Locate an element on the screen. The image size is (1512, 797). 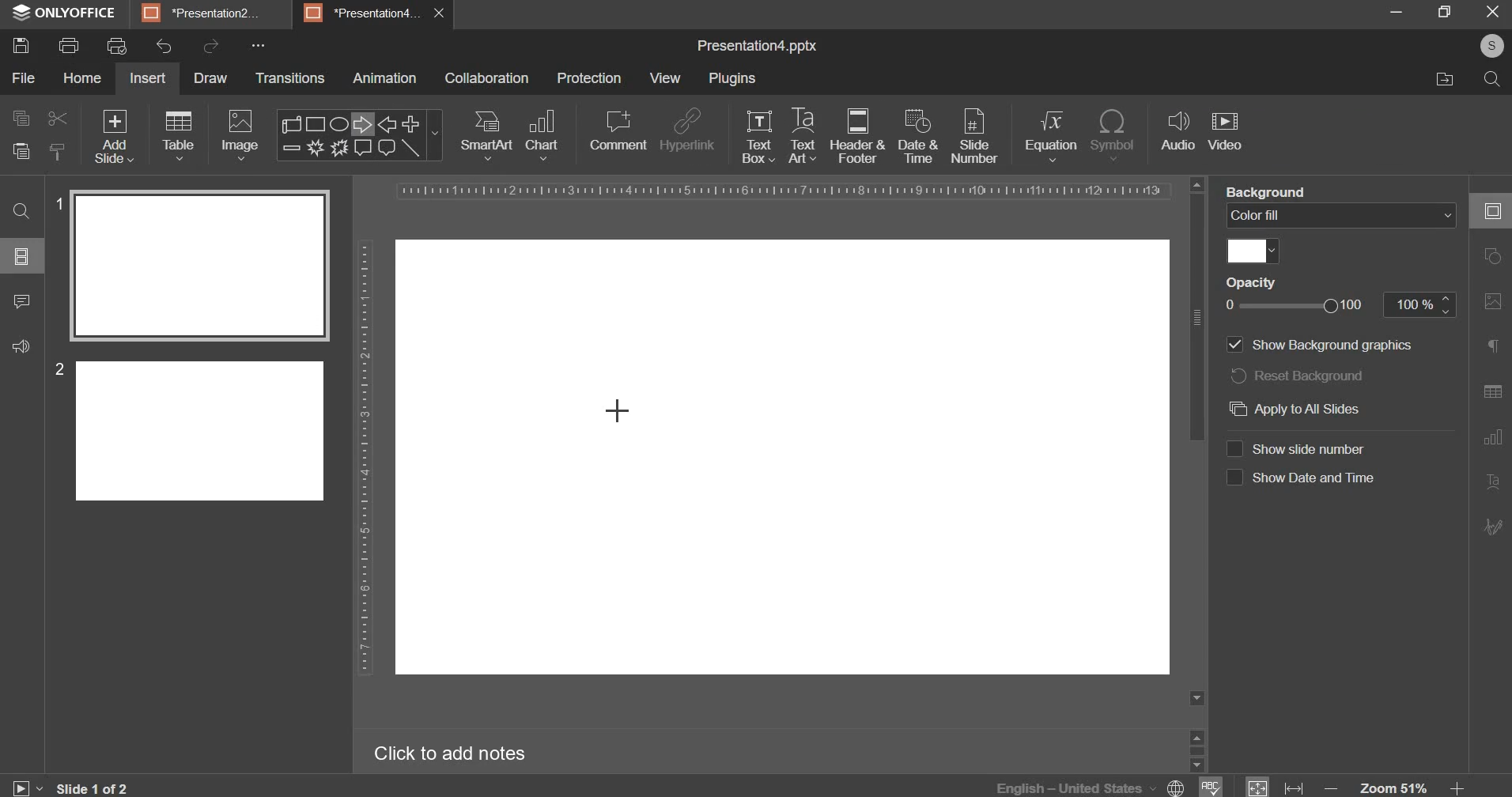
s is located at coordinates (1495, 46).